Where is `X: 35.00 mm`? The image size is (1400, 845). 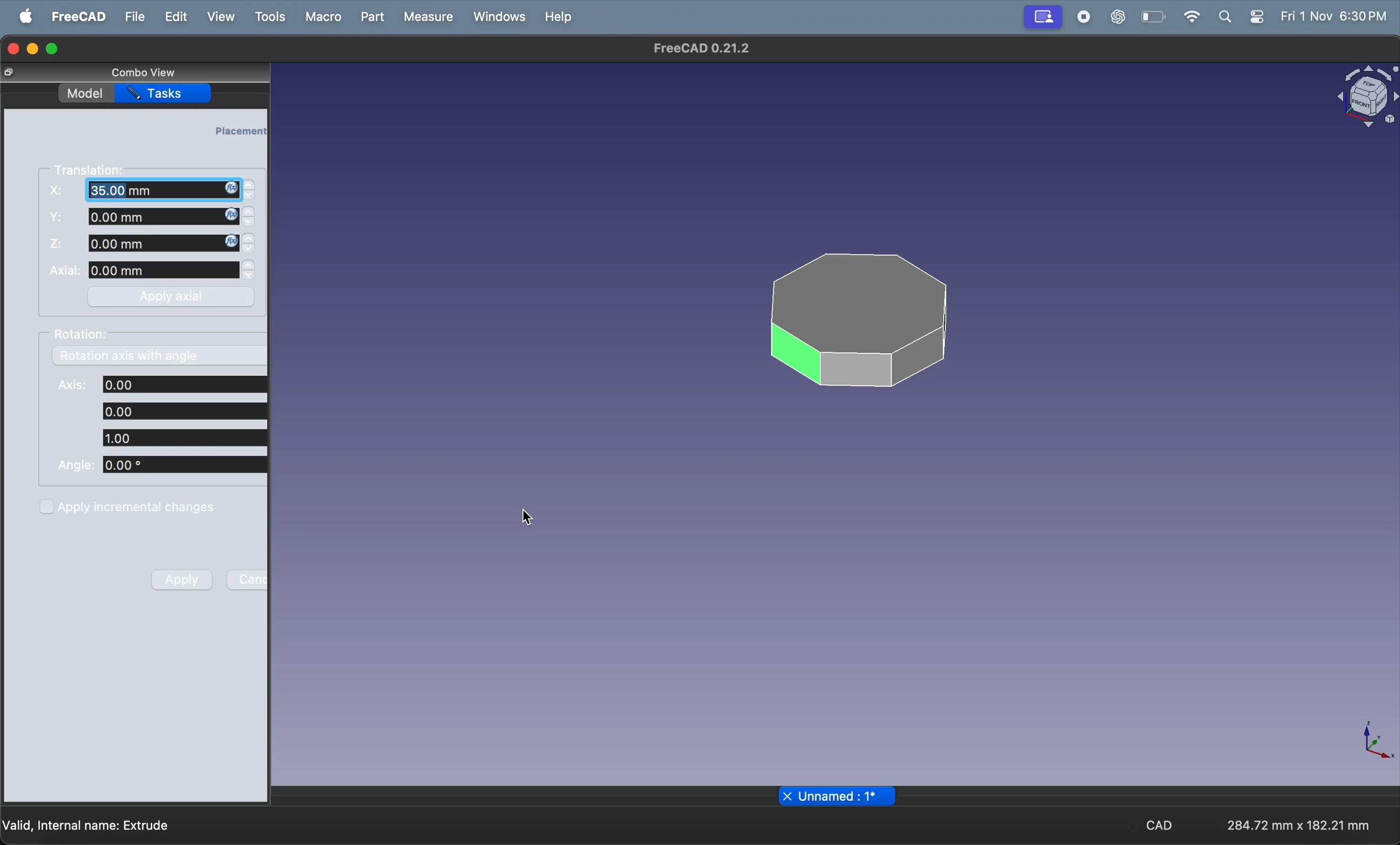
X: 35.00 mm is located at coordinates (142, 190).